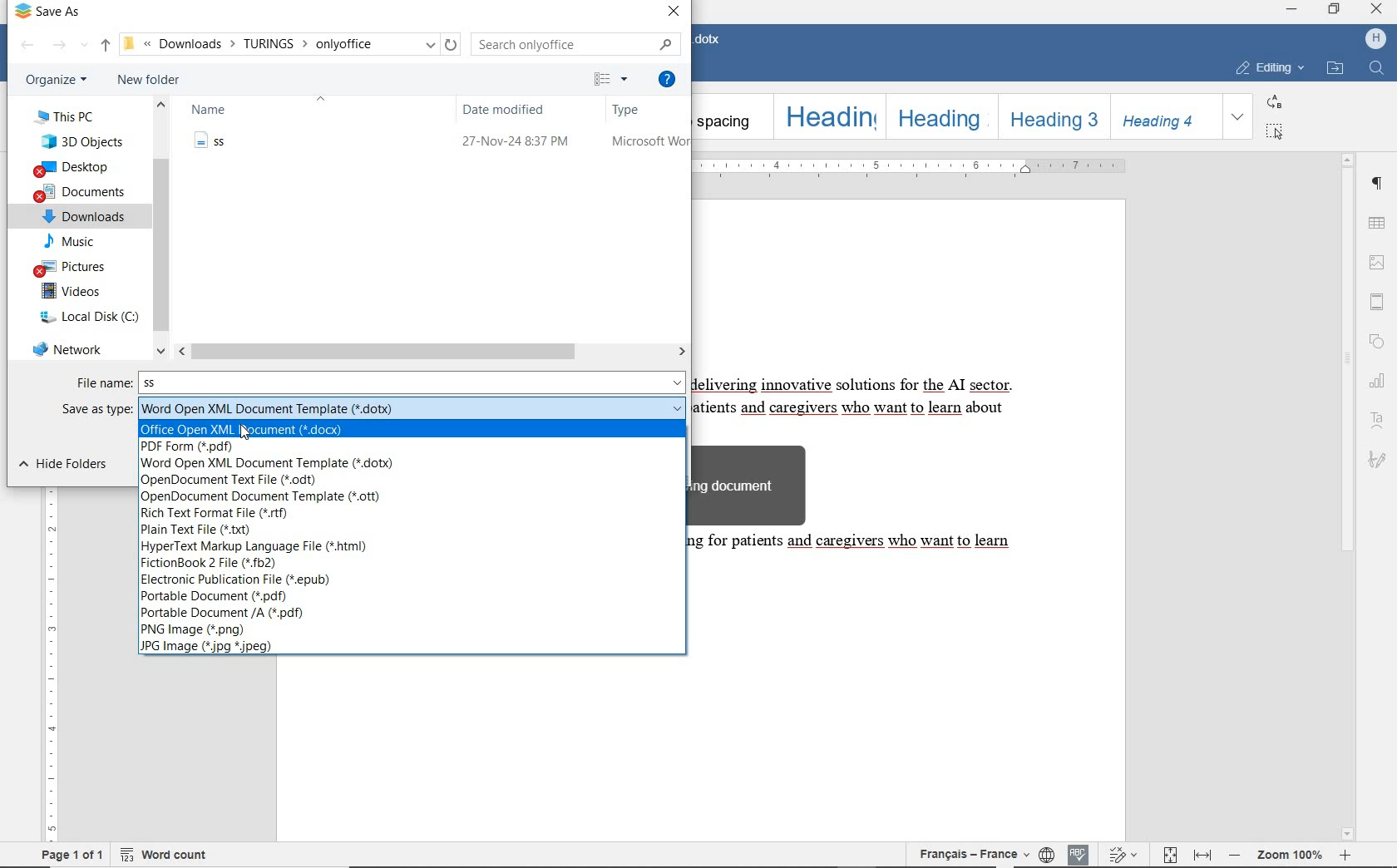 Image resolution: width=1397 pixels, height=868 pixels. What do you see at coordinates (1127, 853) in the screenshot?
I see `TRACK CHANGES` at bounding box center [1127, 853].